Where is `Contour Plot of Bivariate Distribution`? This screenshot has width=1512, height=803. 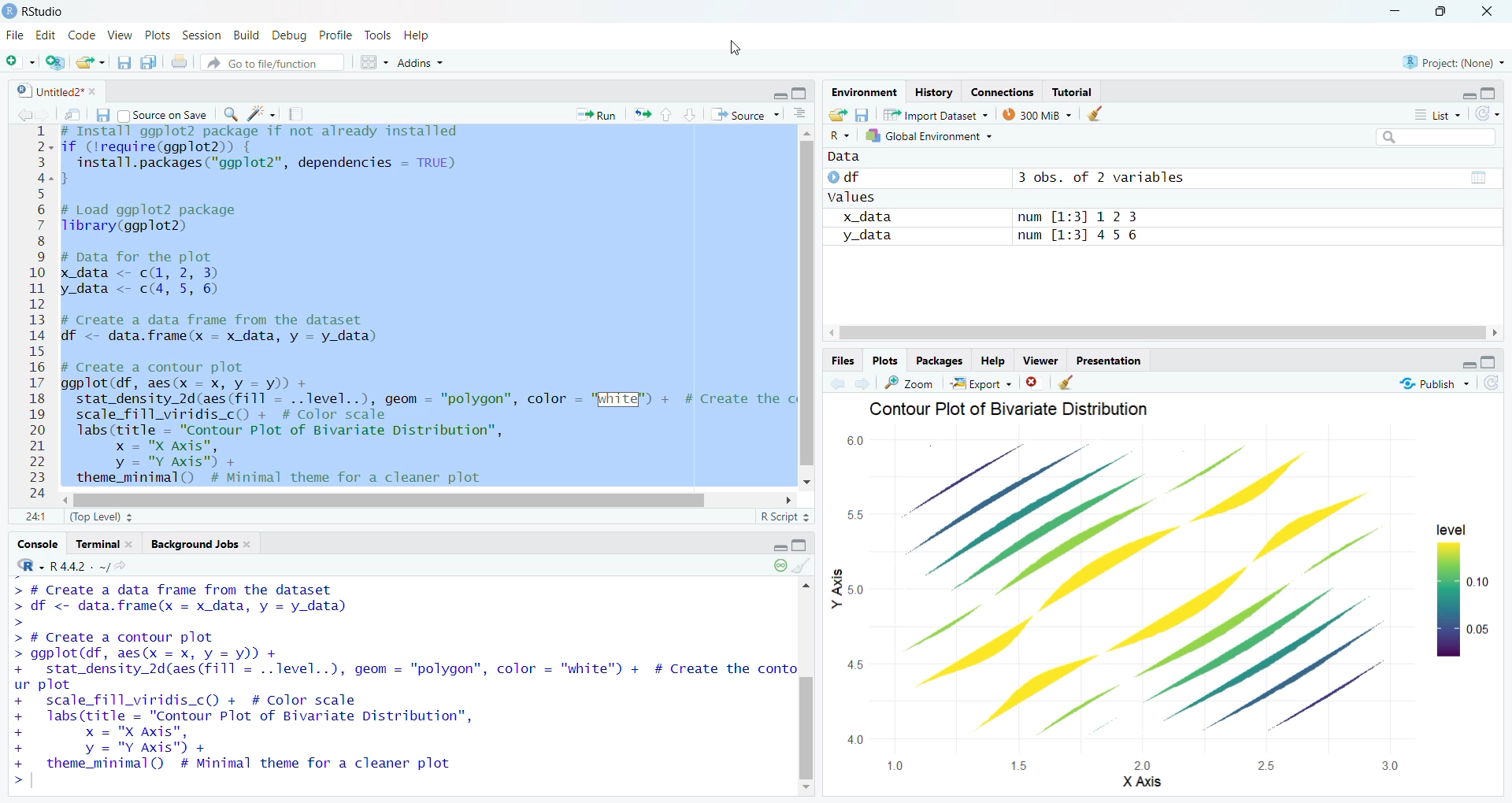 Contour Plot of Bivariate Distribution is located at coordinates (1008, 411).